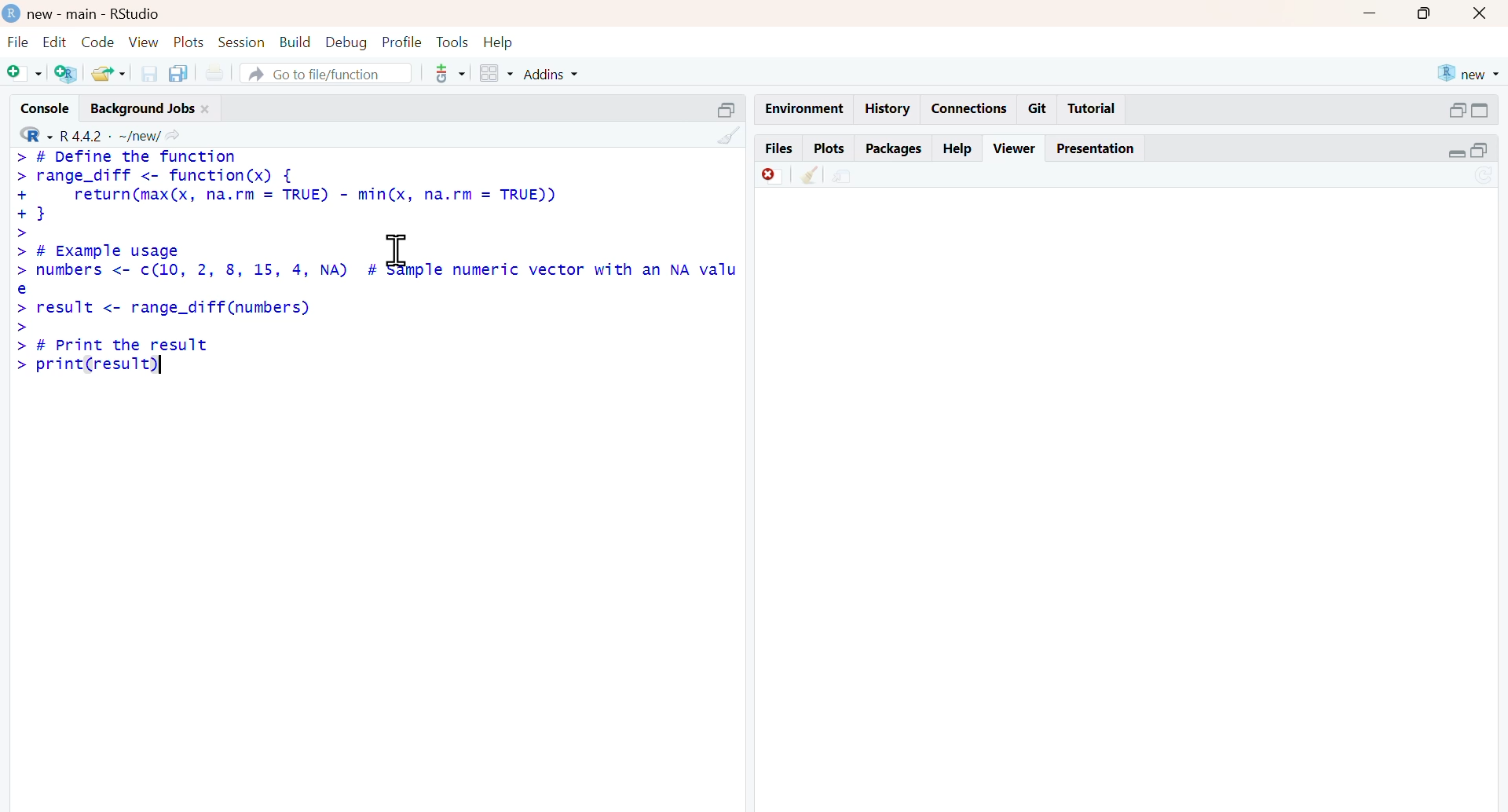  I want to click on maximise, so click(1426, 12).